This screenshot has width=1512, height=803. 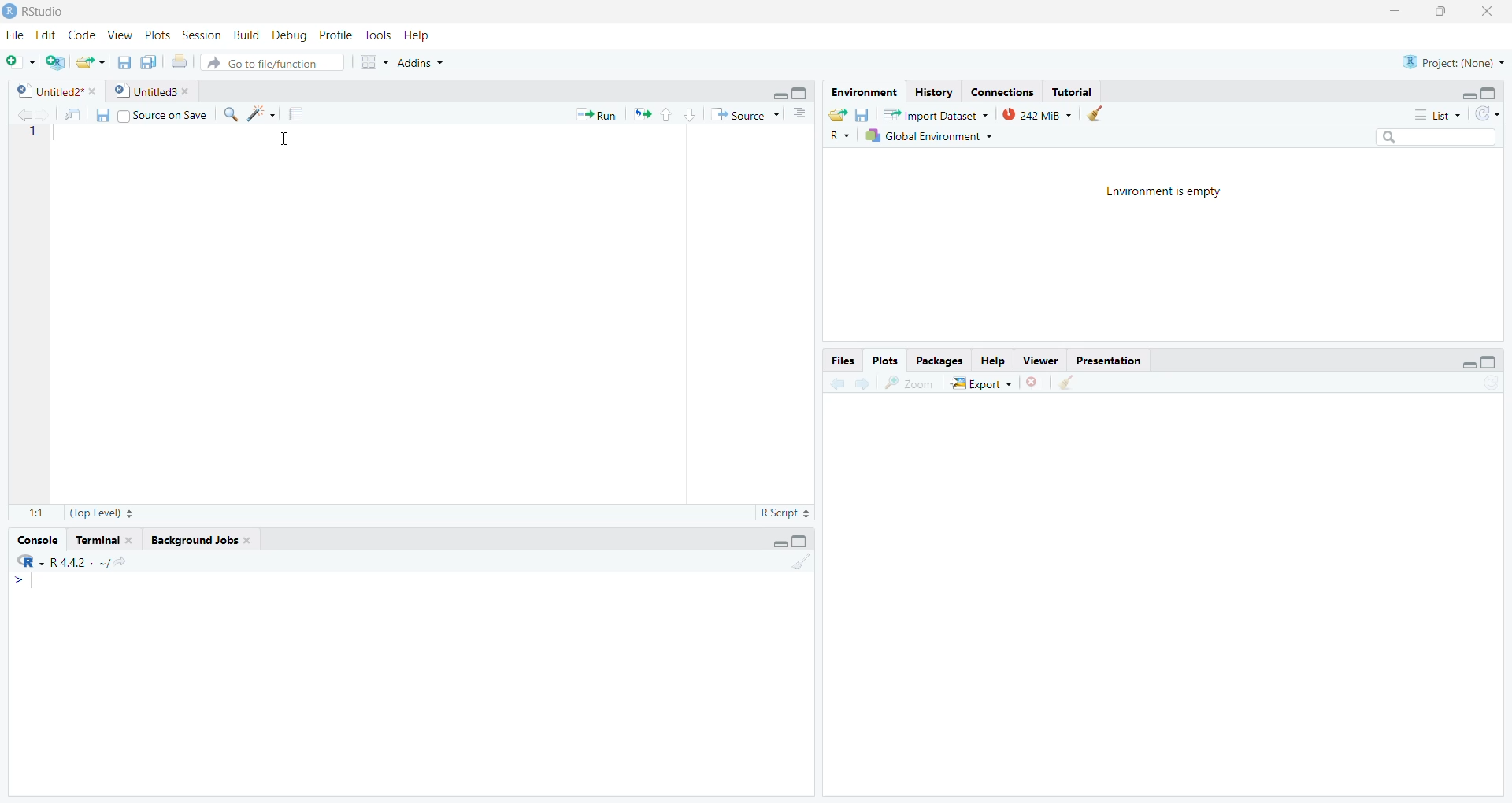 What do you see at coordinates (82, 36) in the screenshot?
I see `Code` at bounding box center [82, 36].